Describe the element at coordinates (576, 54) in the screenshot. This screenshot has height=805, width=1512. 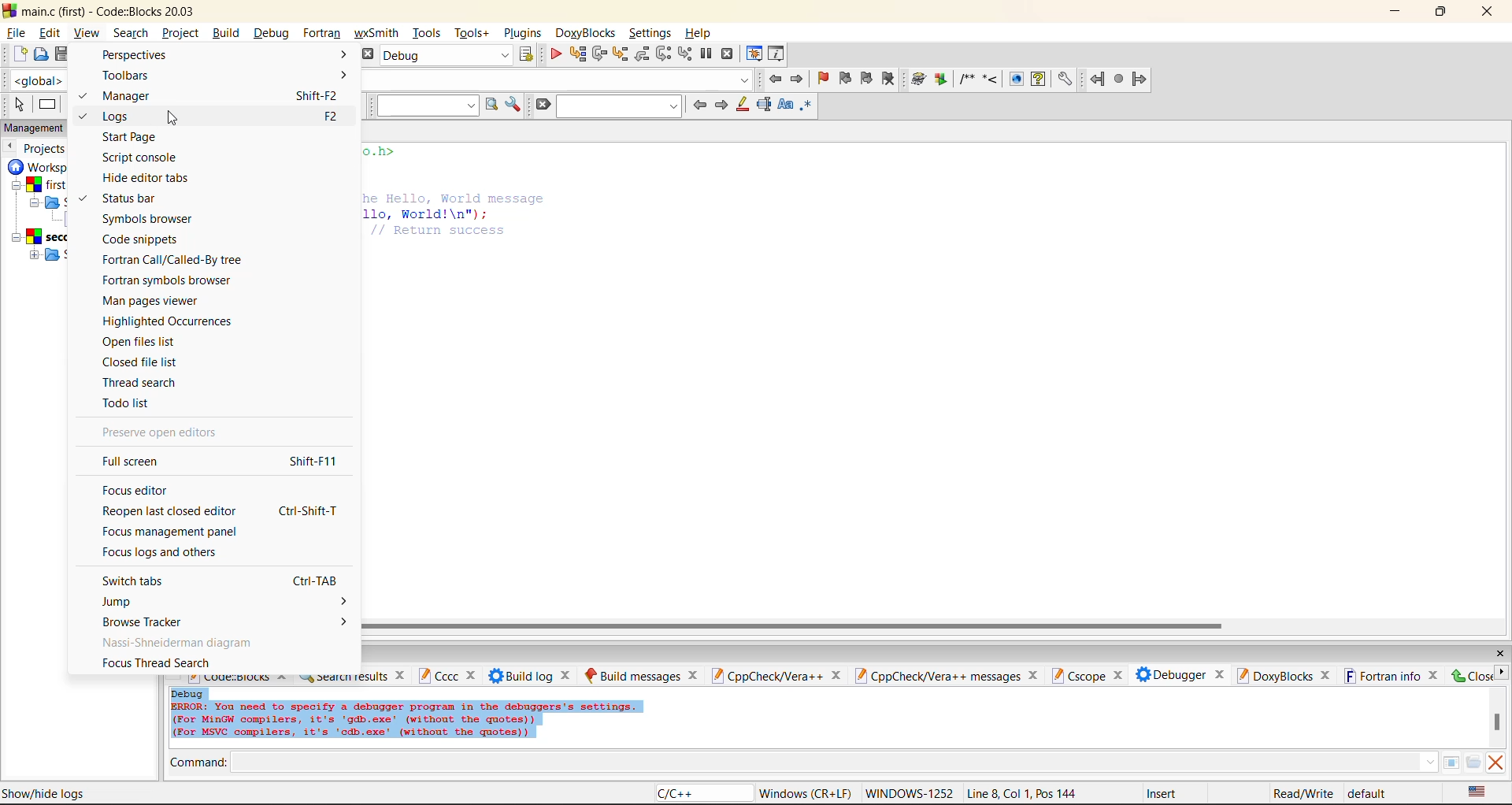
I see `run to cursor` at that location.